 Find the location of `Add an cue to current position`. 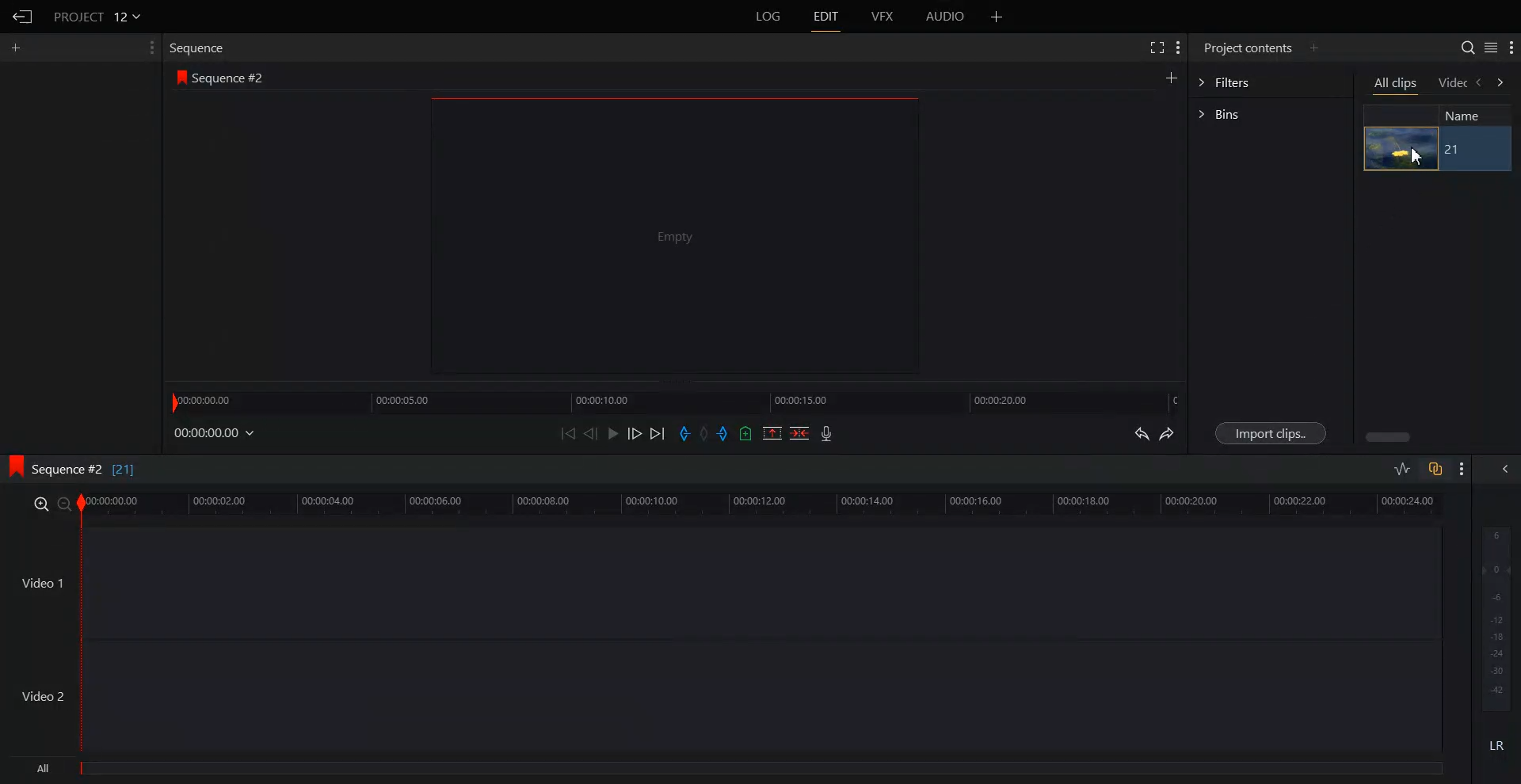

Add an cue to current position is located at coordinates (746, 433).